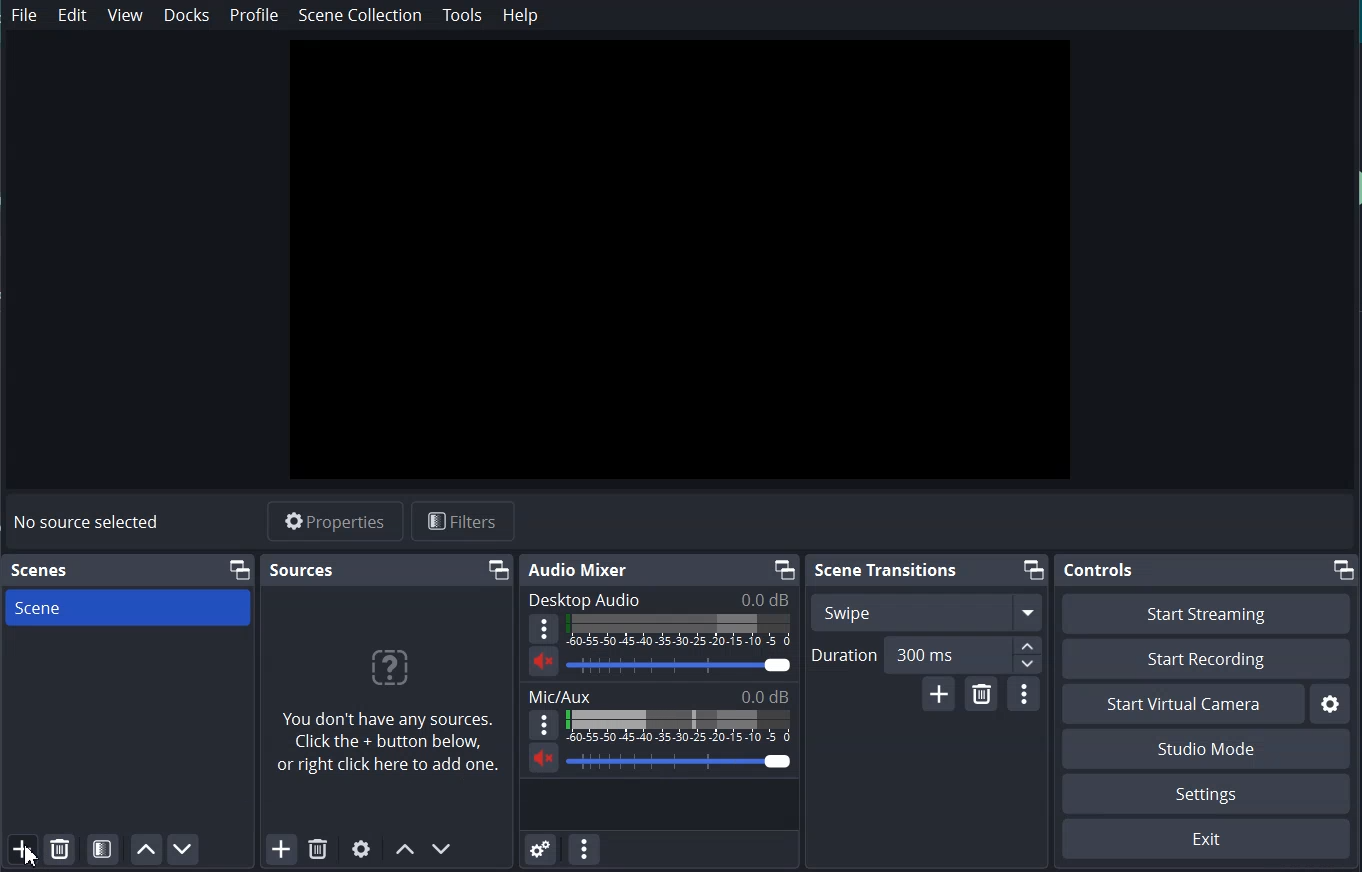  I want to click on Tools, so click(463, 16).